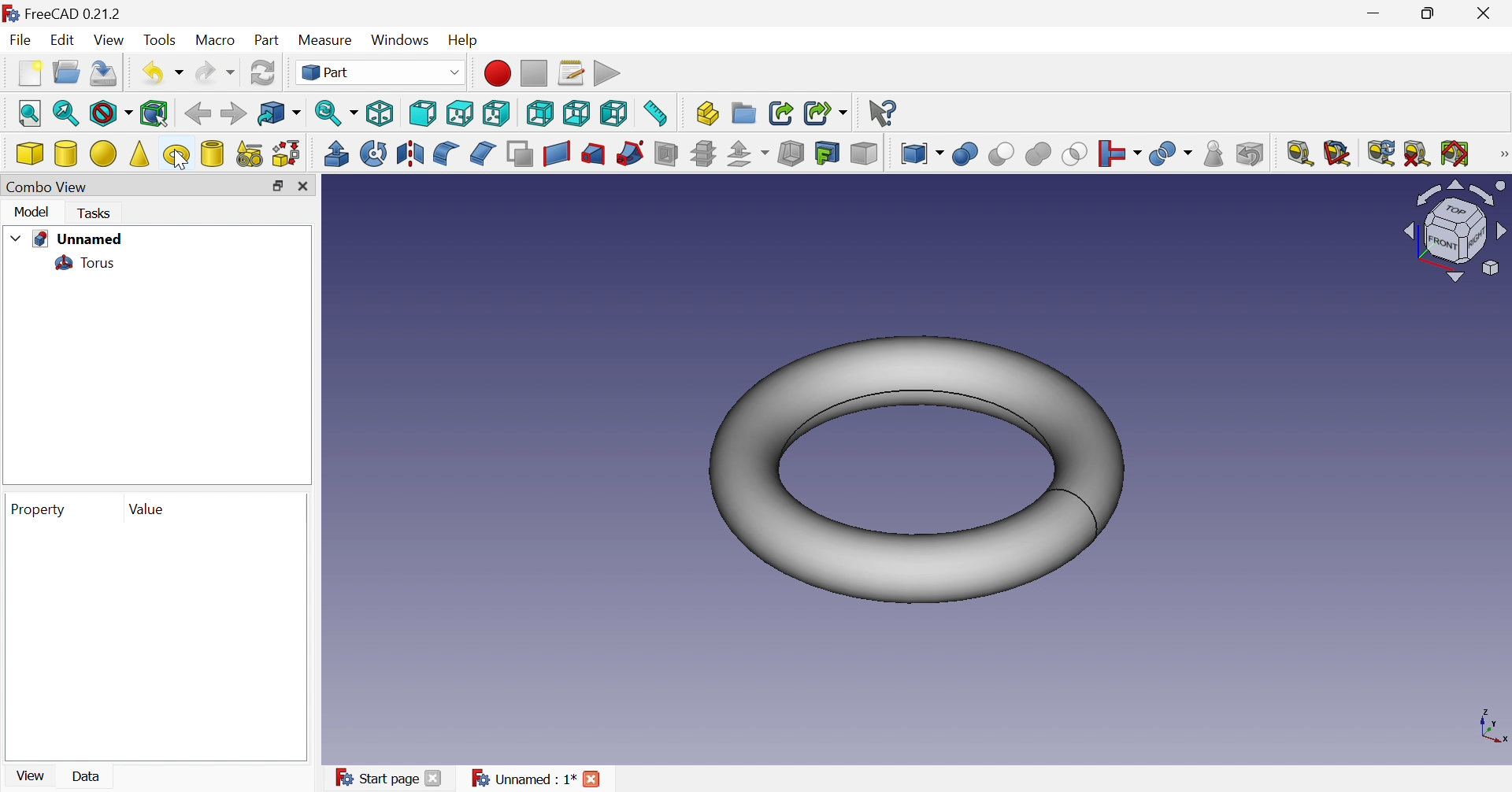 This screenshot has height=792, width=1512. I want to click on Right, so click(538, 113).